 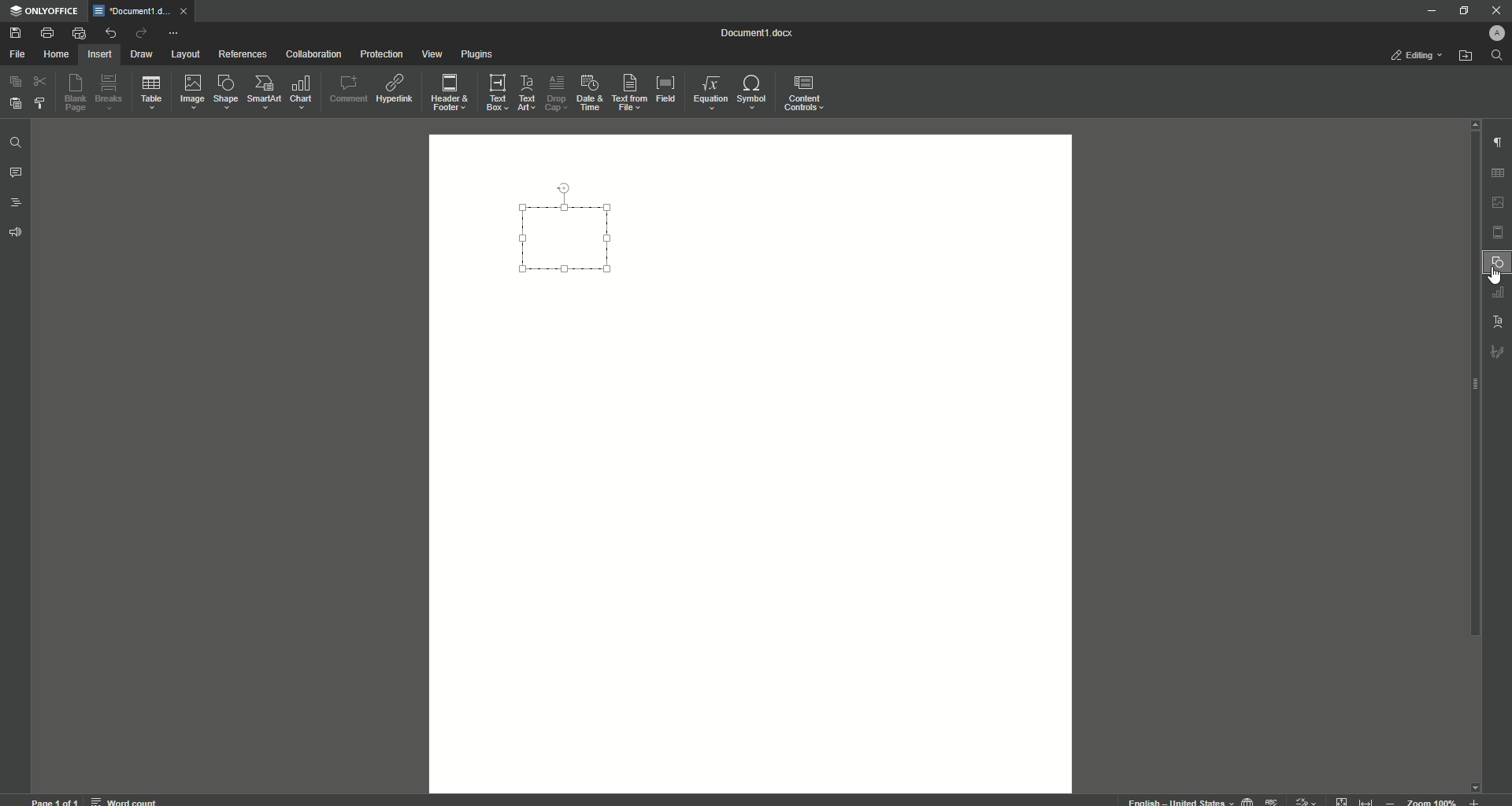 I want to click on Blank Page, so click(x=76, y=92).